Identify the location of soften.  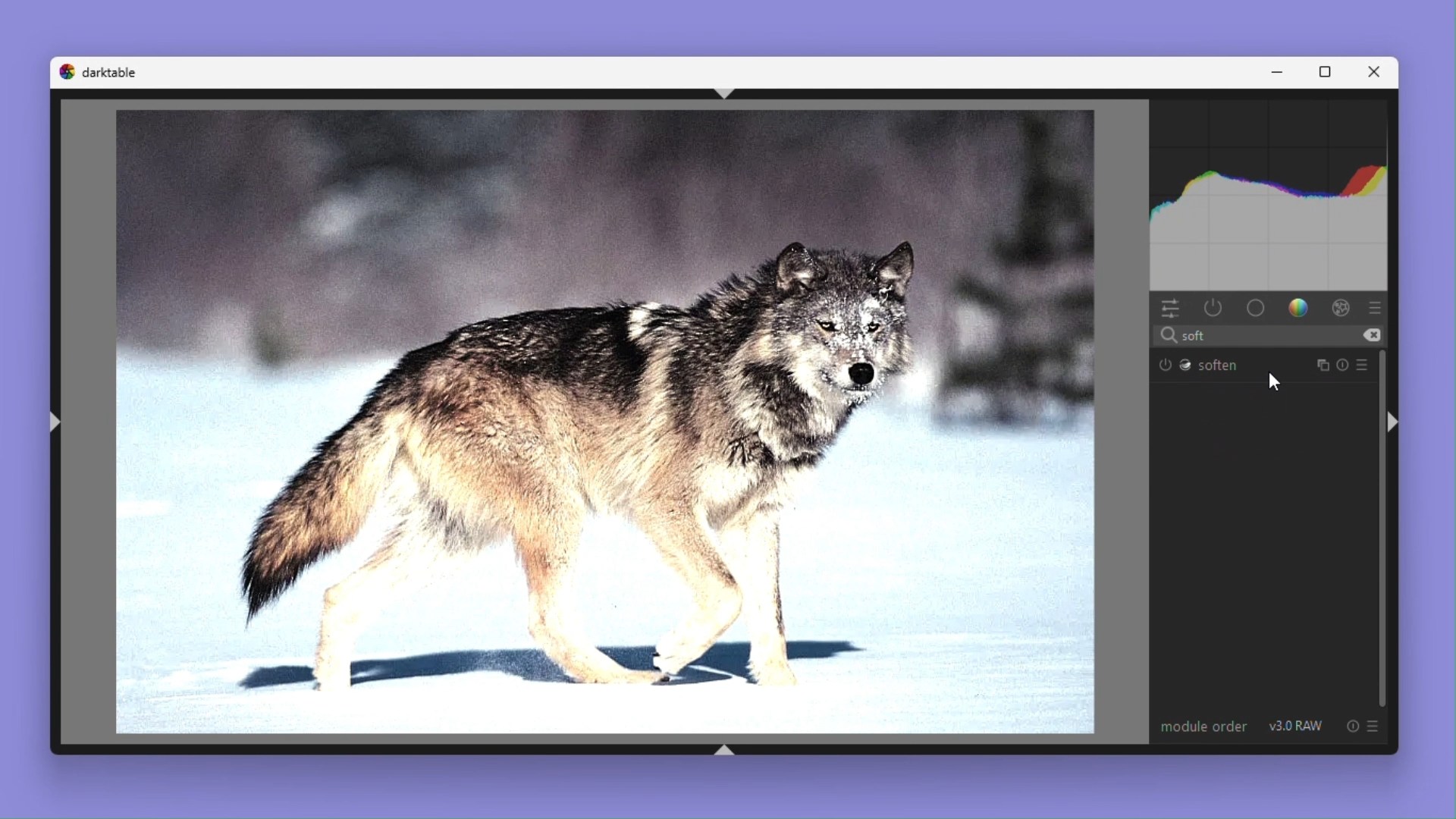
(1200, 365).